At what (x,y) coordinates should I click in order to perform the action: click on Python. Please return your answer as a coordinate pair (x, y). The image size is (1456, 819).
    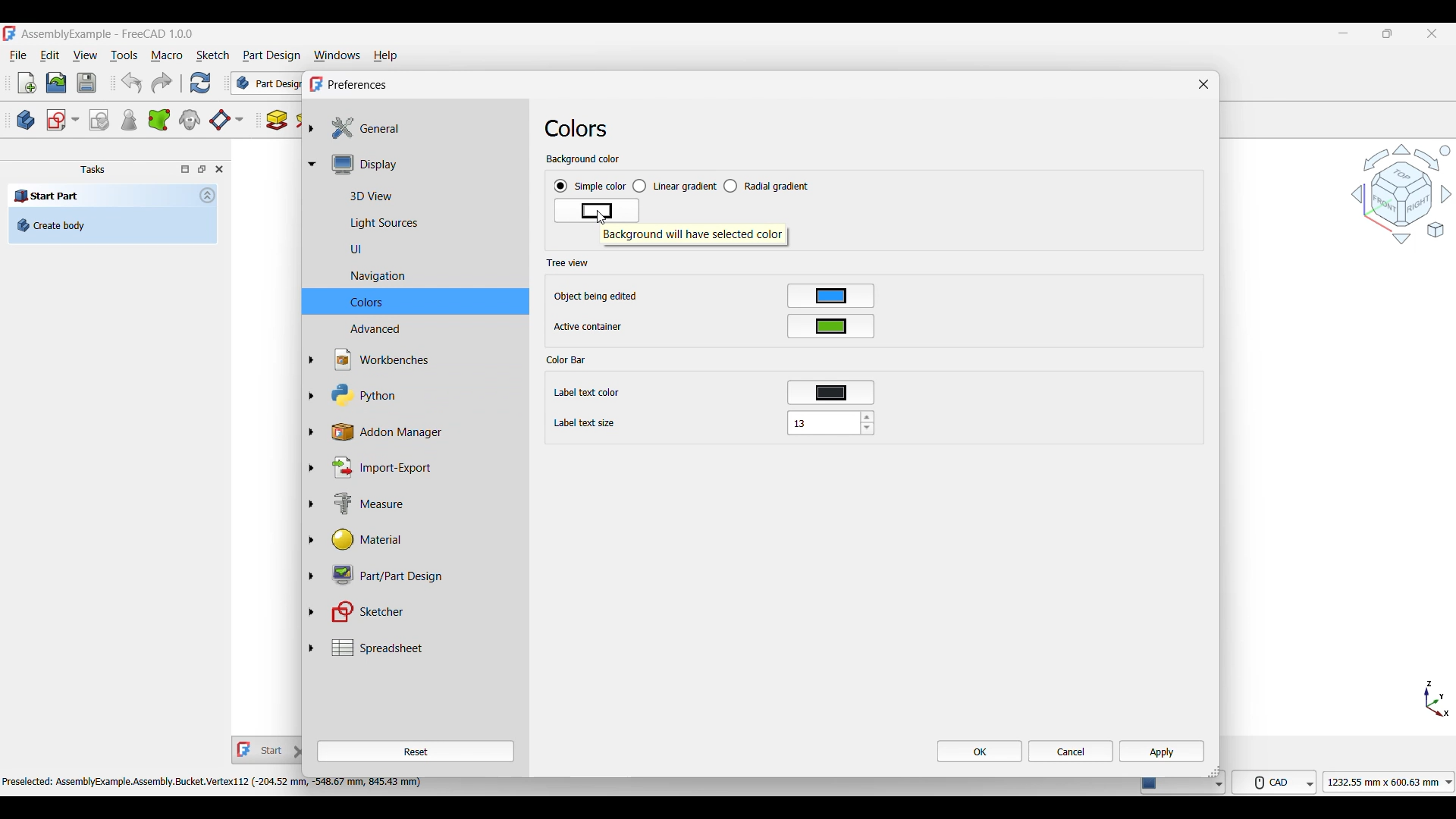
    Looking at the image, I should click on (424, 395).